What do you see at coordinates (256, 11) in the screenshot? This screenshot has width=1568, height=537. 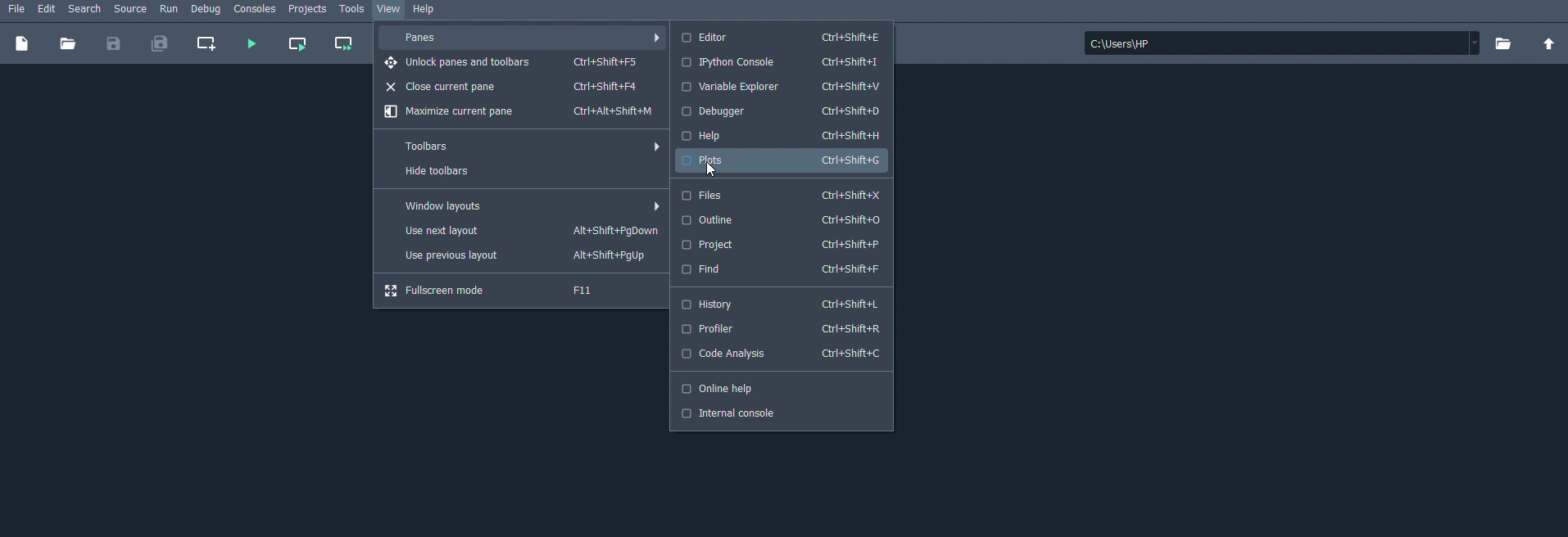 I see `Consoles` at bounding box center [256, 11].